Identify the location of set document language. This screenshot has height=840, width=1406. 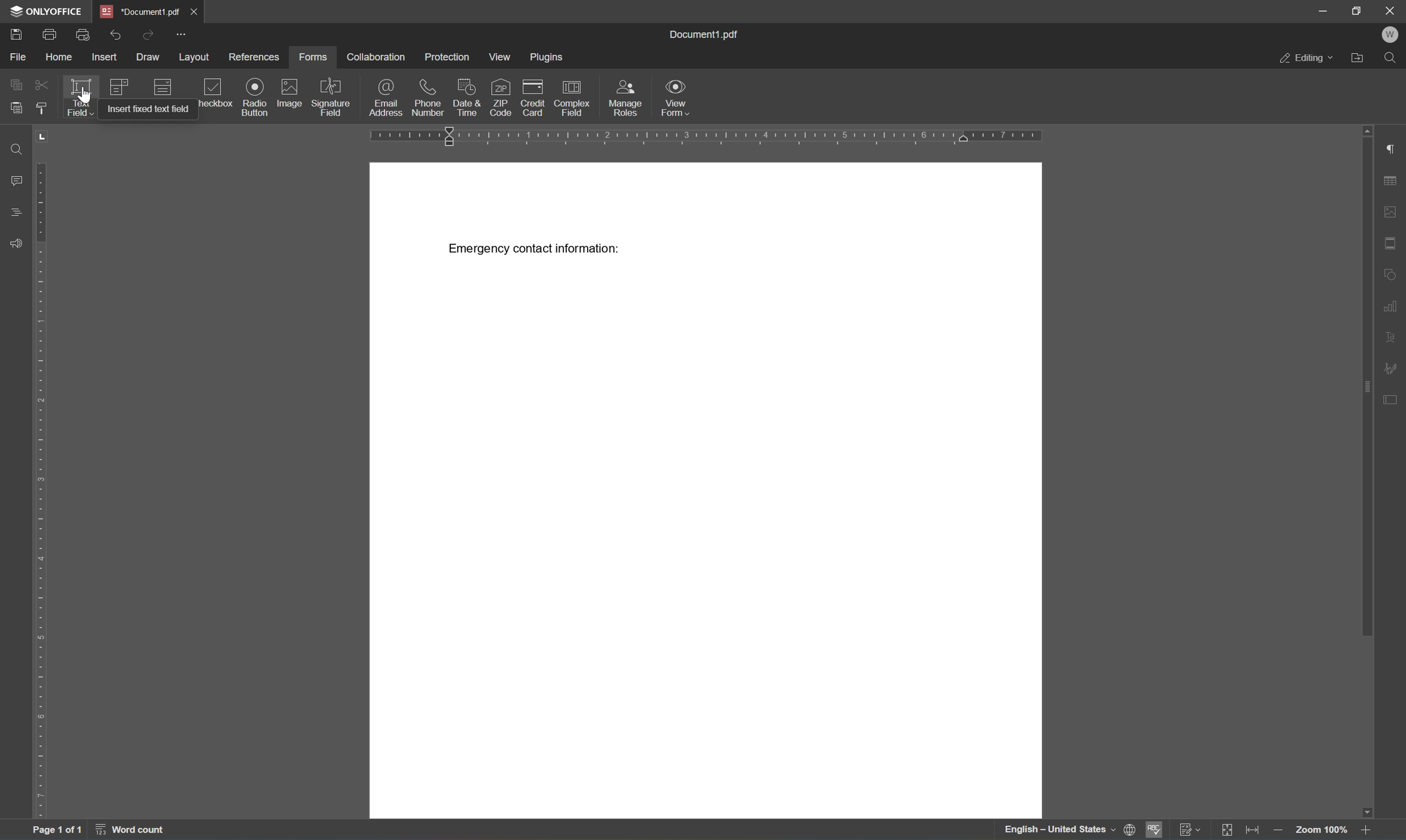
(1130, 832).